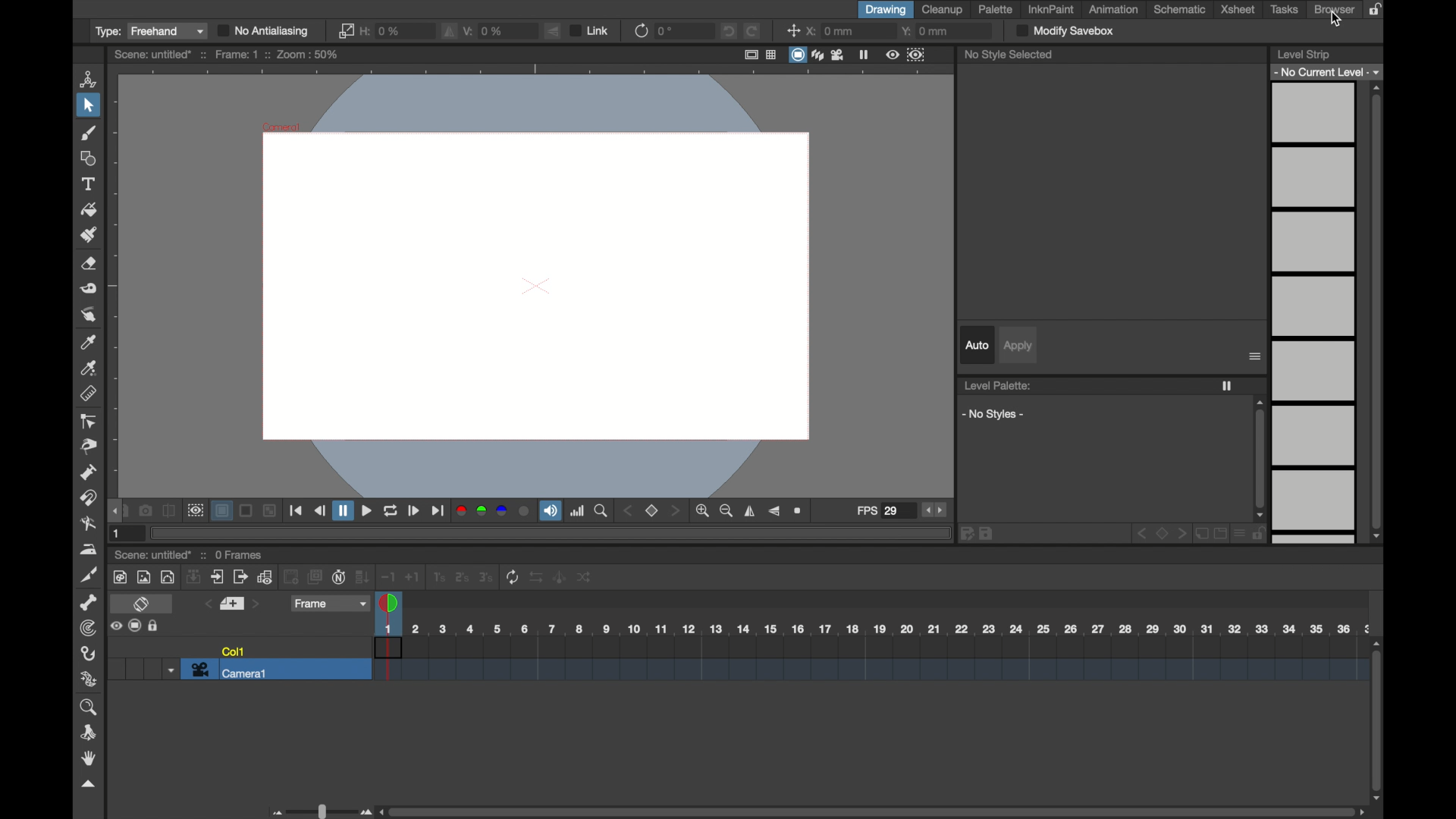 Image resolution: width=1456 pixels, height=819 pixels. What do you see at coordinates (89, 472) in the screenshot?
I see `pump tool` at bounding box center [89, 472].